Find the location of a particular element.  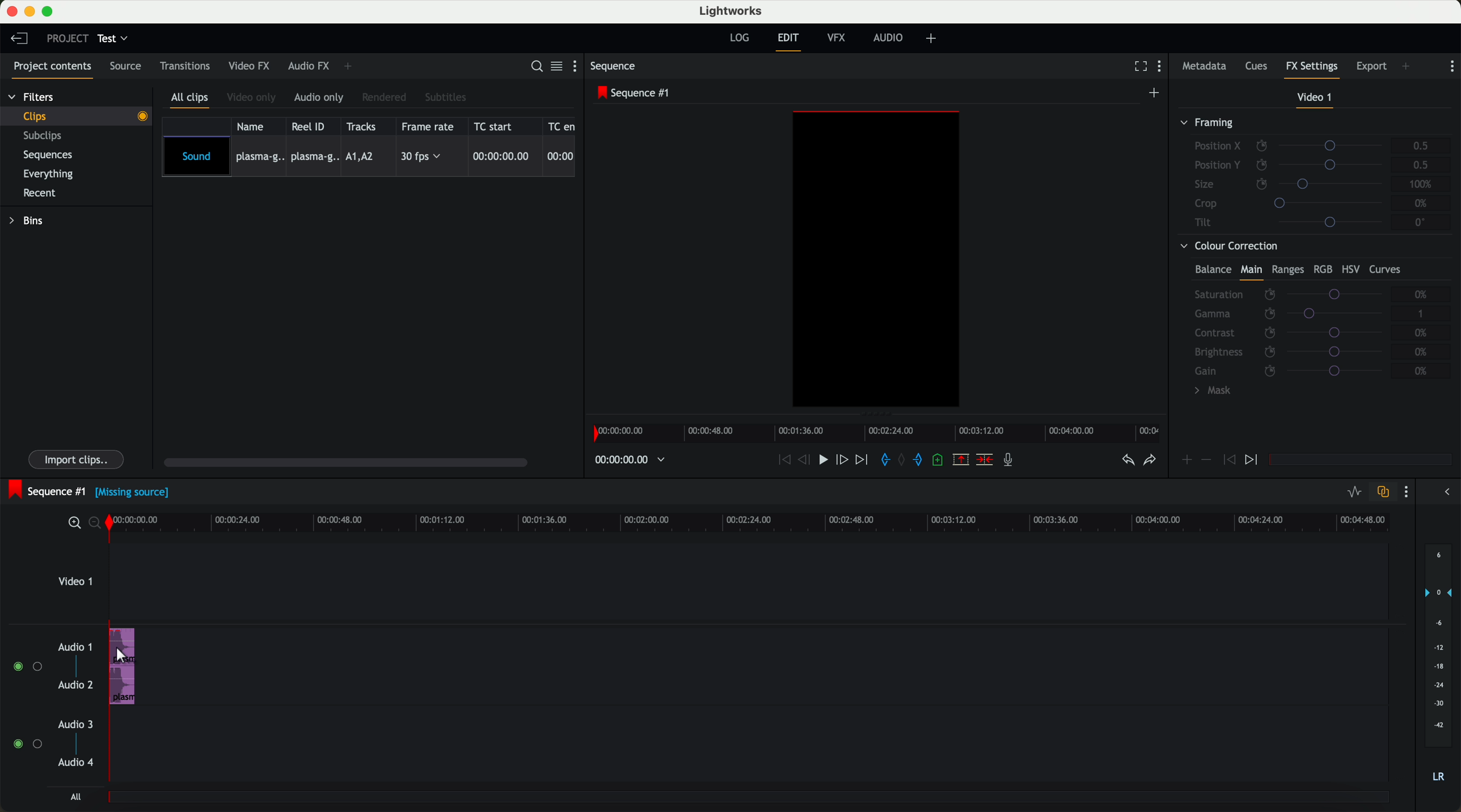

add is located at coordinates (933, 39).